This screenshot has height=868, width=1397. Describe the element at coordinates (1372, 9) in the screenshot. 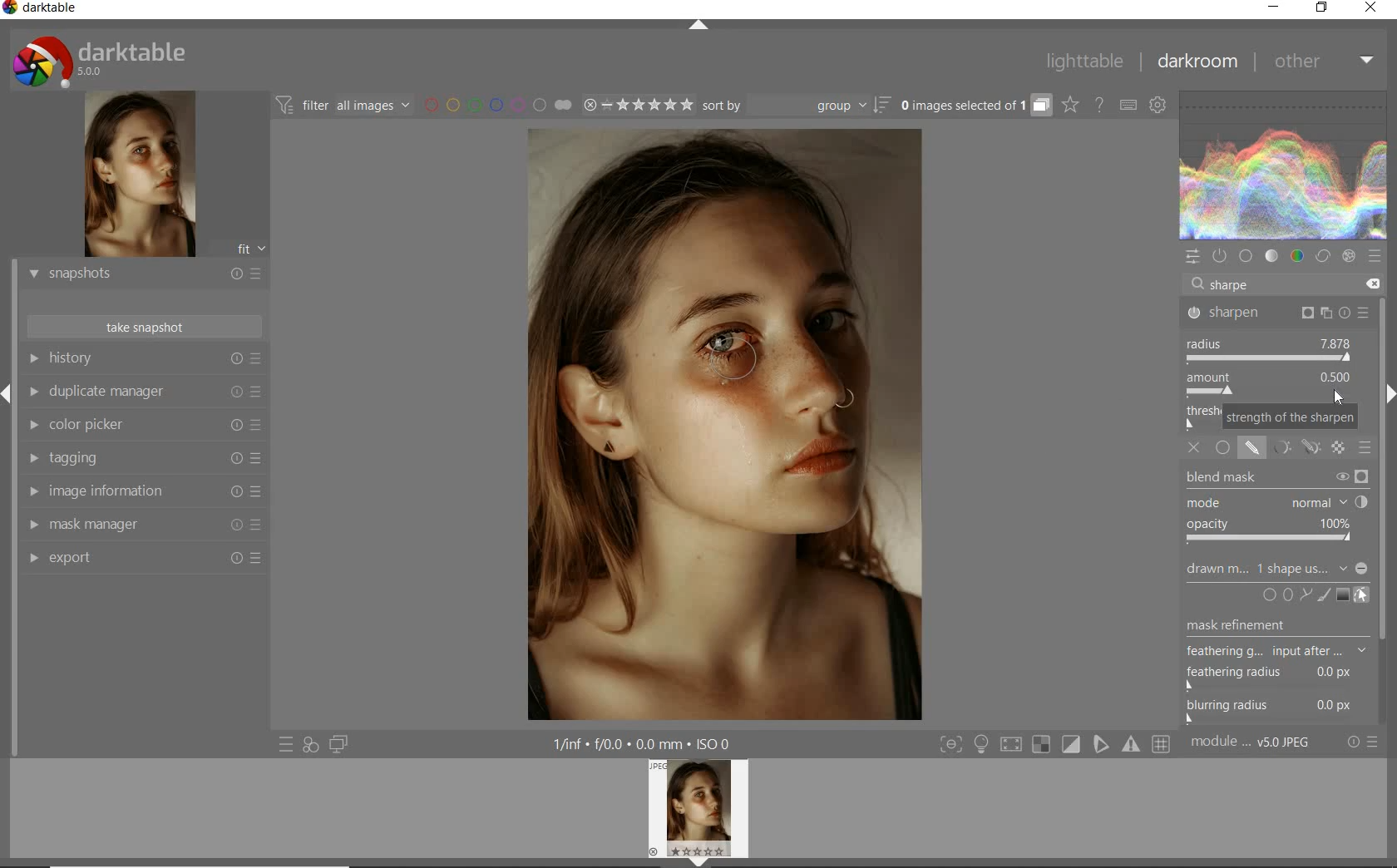

I see `close` at that location.